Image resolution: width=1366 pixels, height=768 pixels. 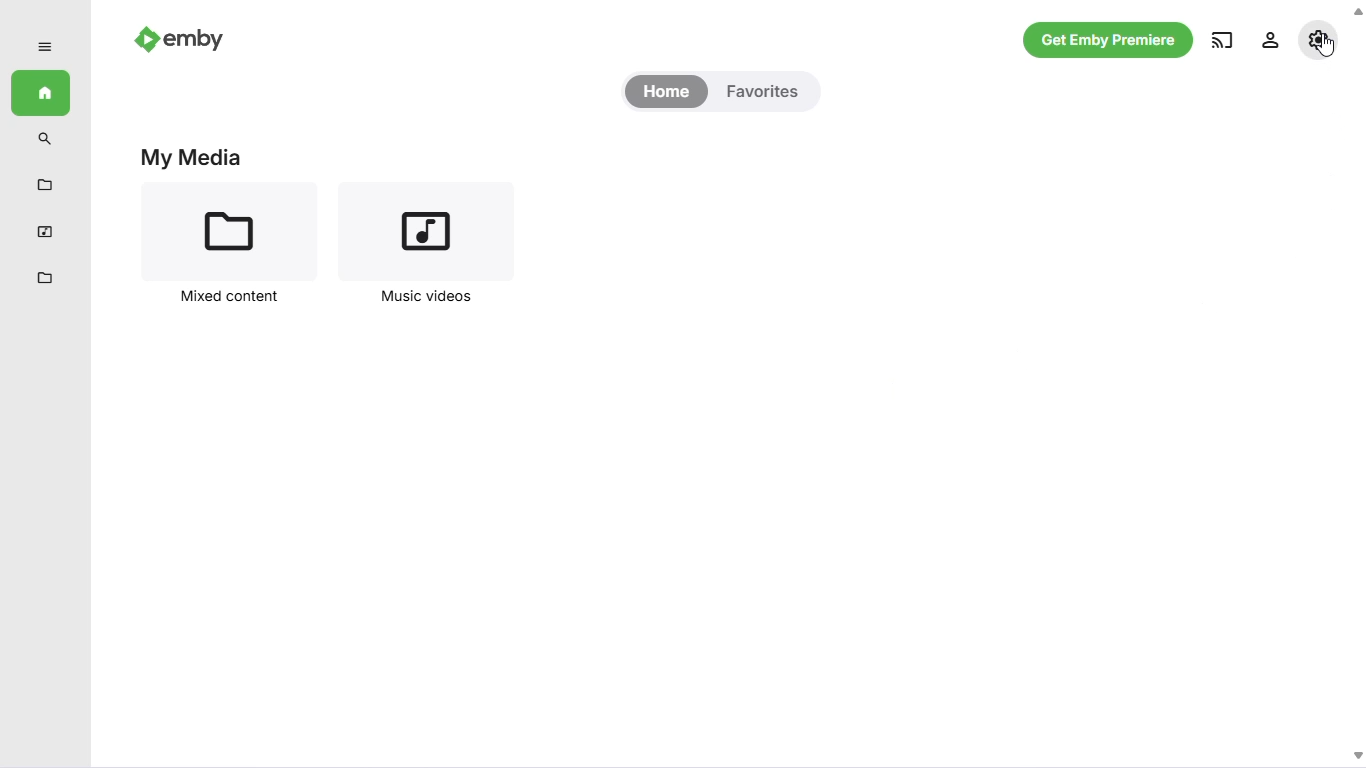 What do you see at coordinates (767, 91) in the screenshot?
I see `favorites` at bounding box center [767, 91].